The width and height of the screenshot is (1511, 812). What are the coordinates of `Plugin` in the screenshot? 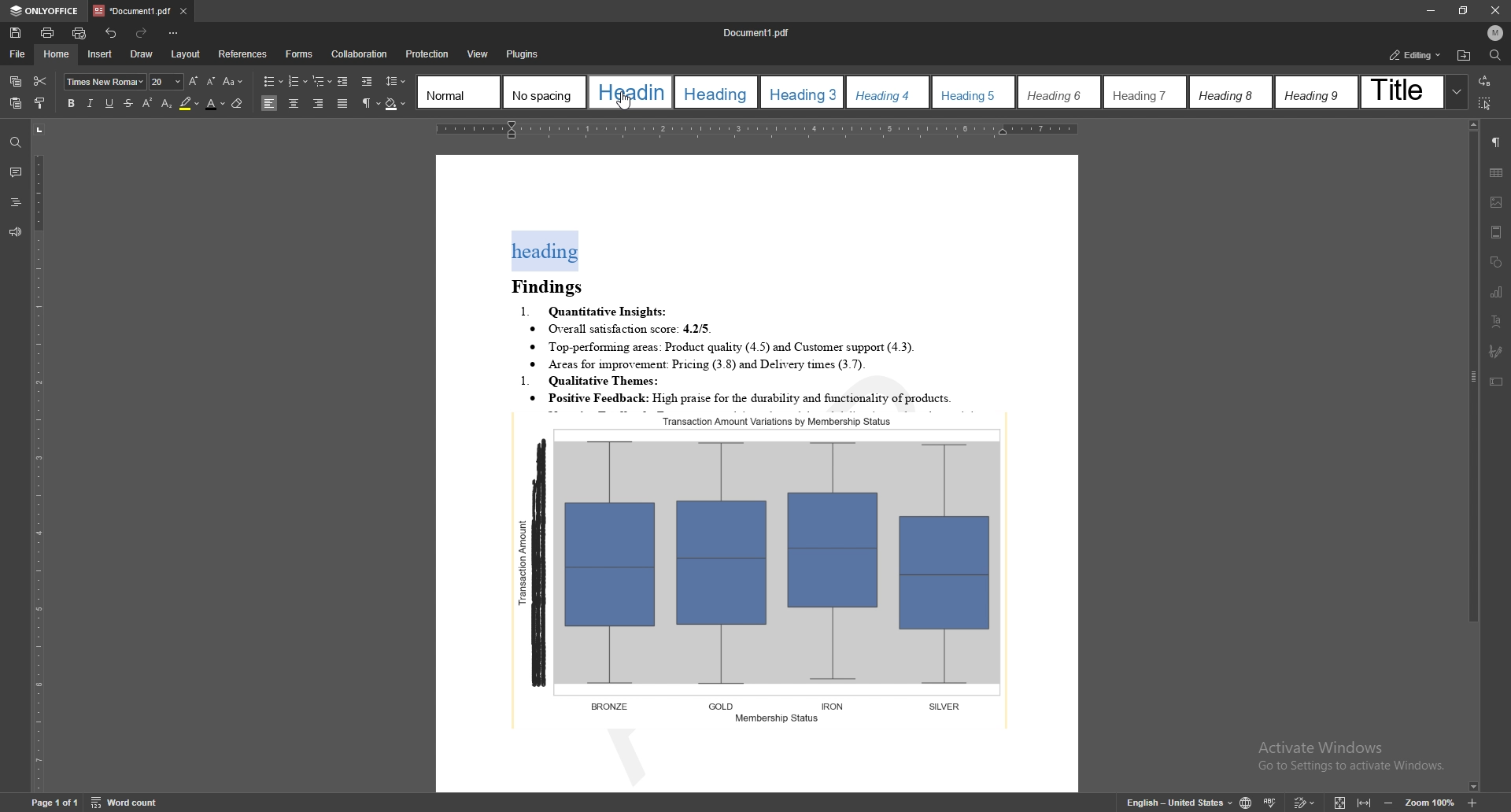 It's located at (523, 54).